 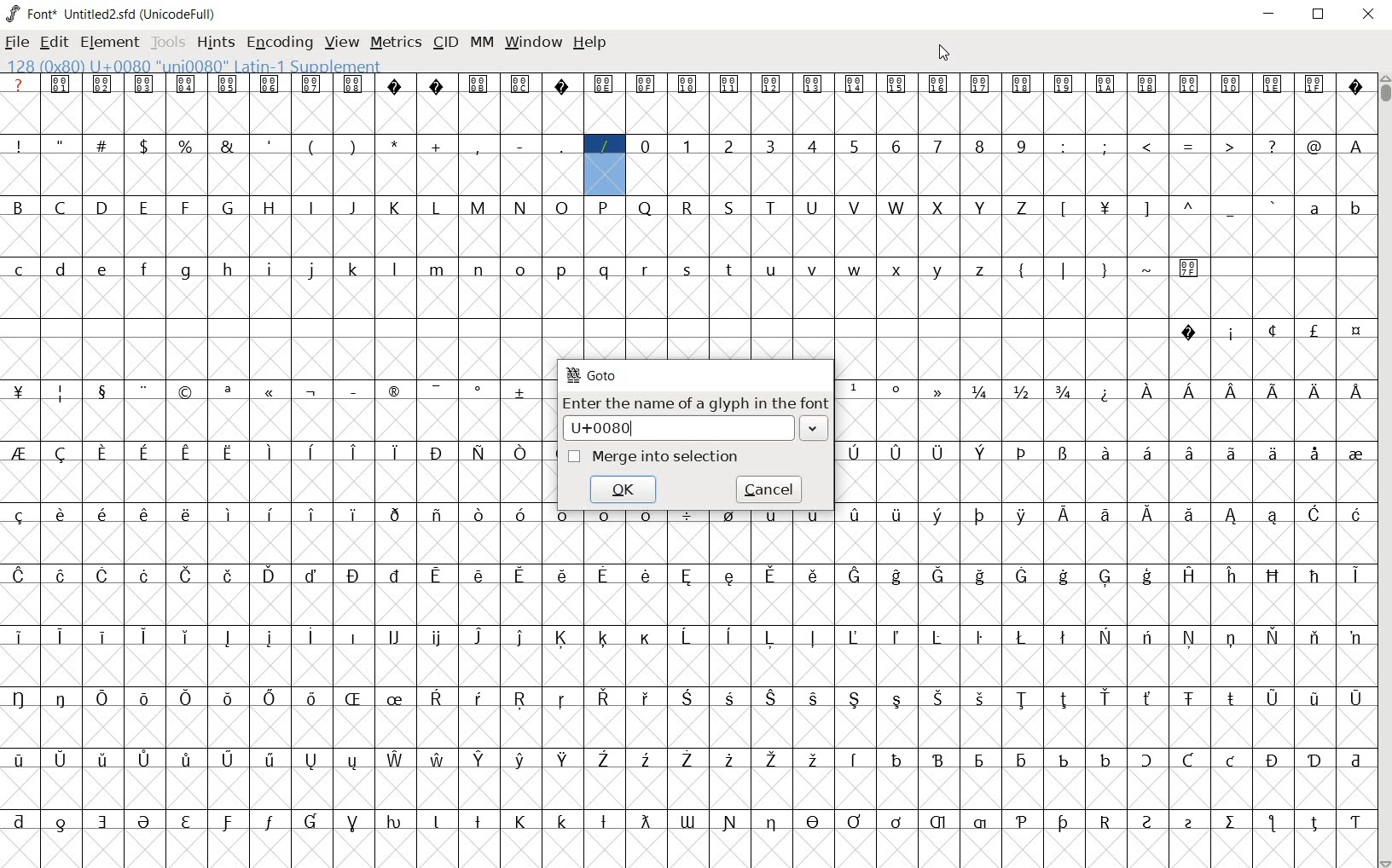 I want to click on glyph, so click(x=1064, y=270).